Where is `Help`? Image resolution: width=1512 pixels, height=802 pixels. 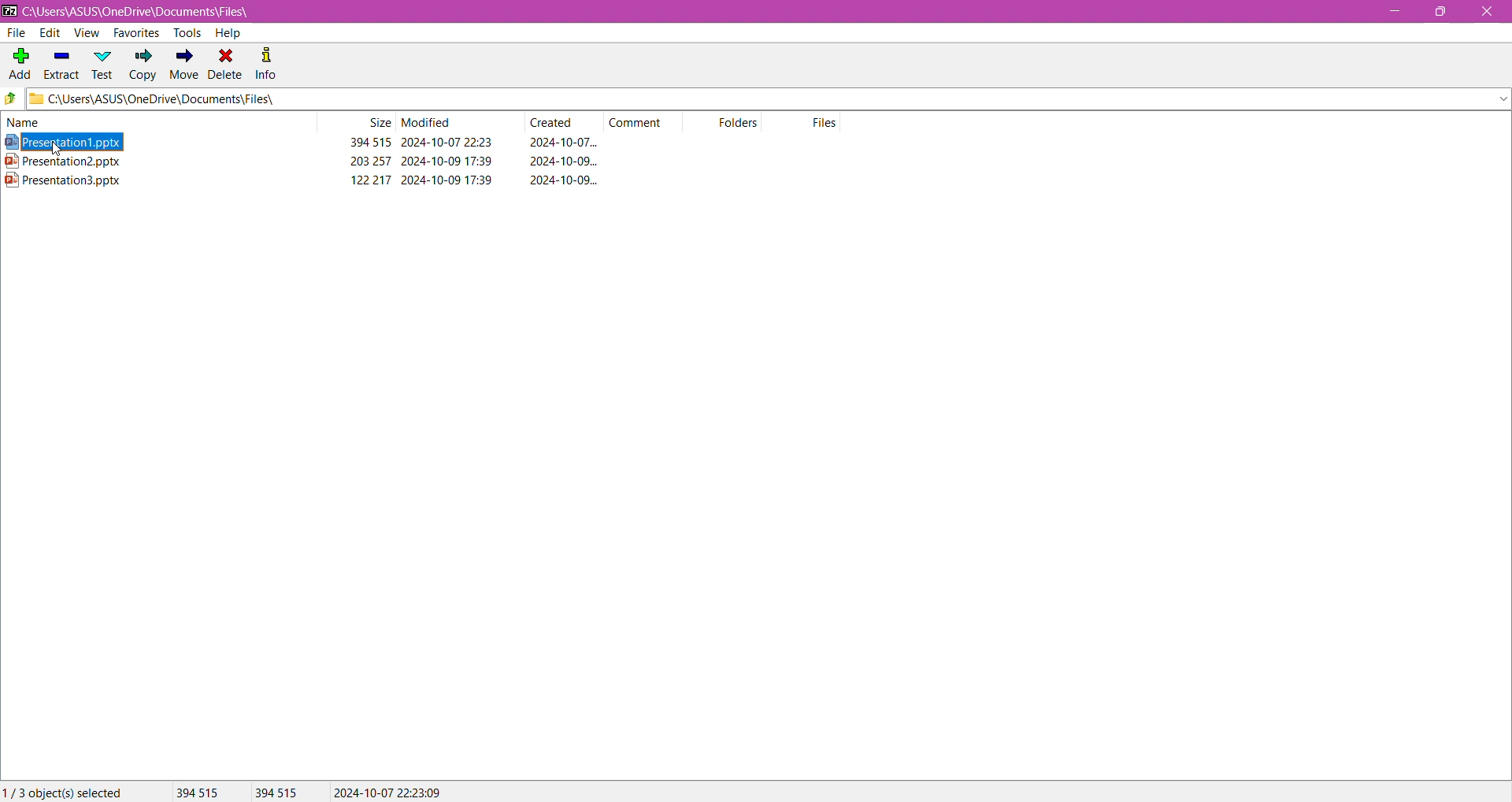
Help is located at coordinates (228, 33).